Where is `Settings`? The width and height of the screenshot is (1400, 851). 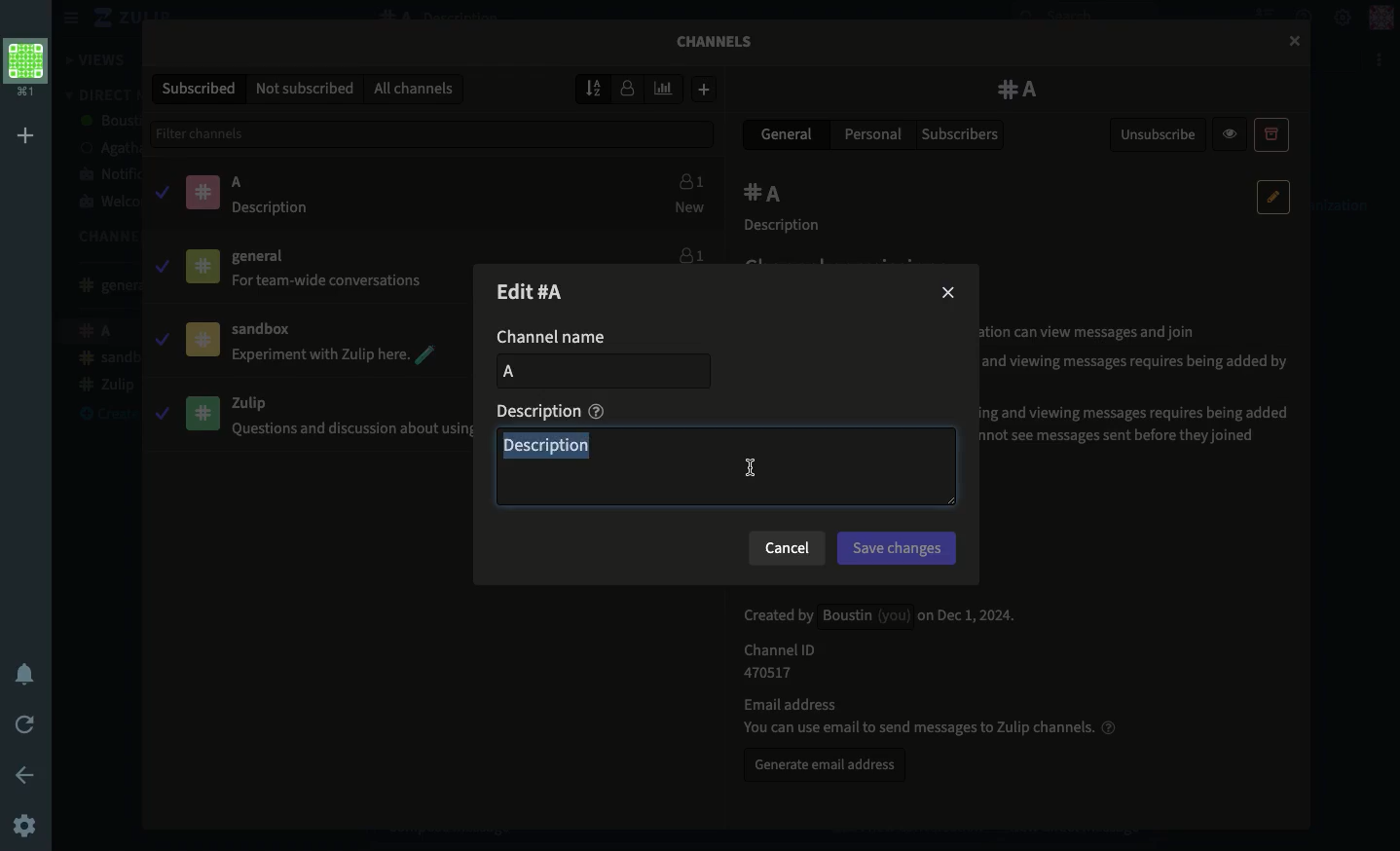
Settings is located at coordinates (1344, 16).